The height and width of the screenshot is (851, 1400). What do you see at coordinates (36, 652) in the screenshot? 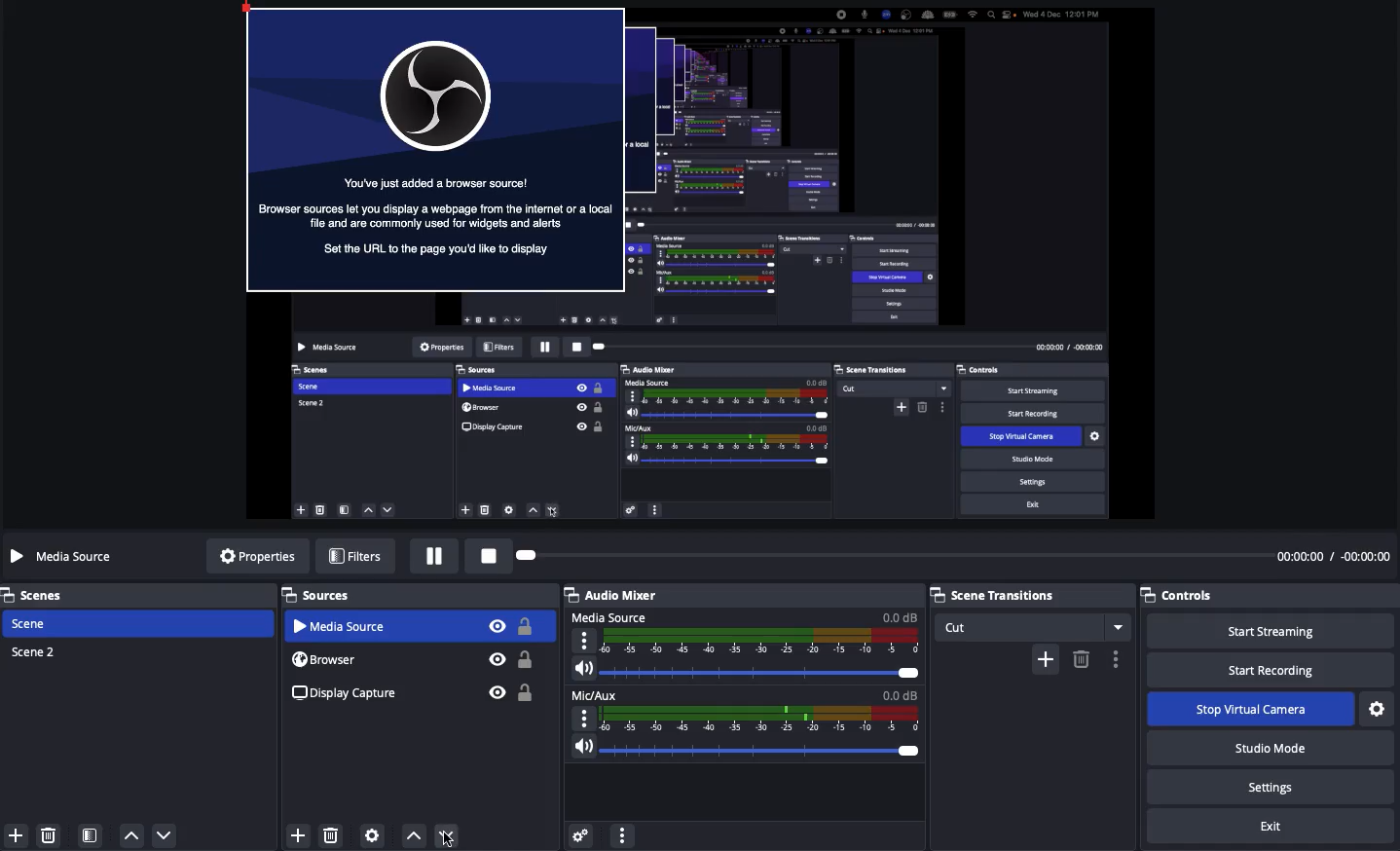
I see `Scene 2` at bounding box center [36, 652].